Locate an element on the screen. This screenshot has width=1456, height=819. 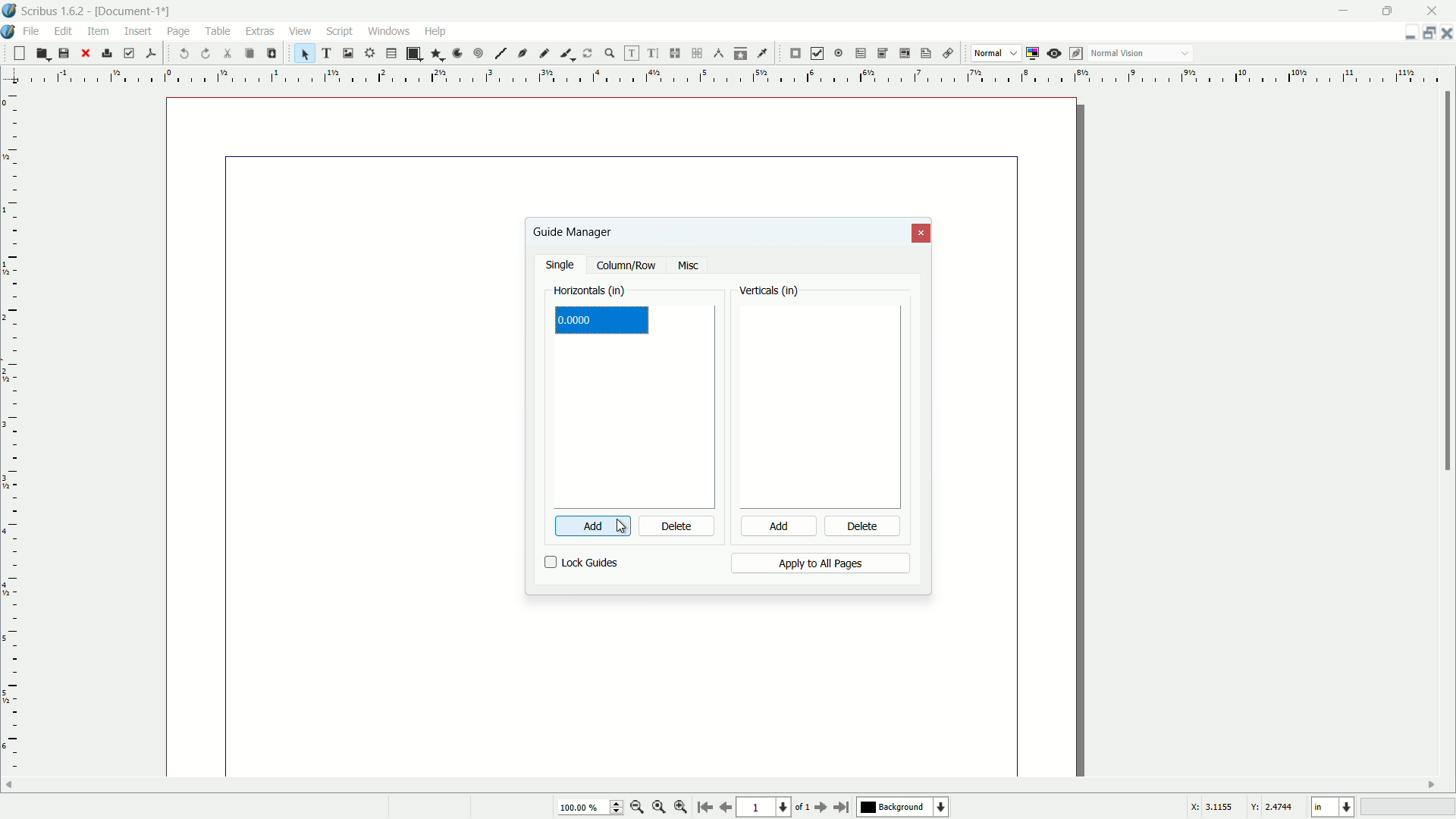
close guide manager window is located at coordinates (922, 234).